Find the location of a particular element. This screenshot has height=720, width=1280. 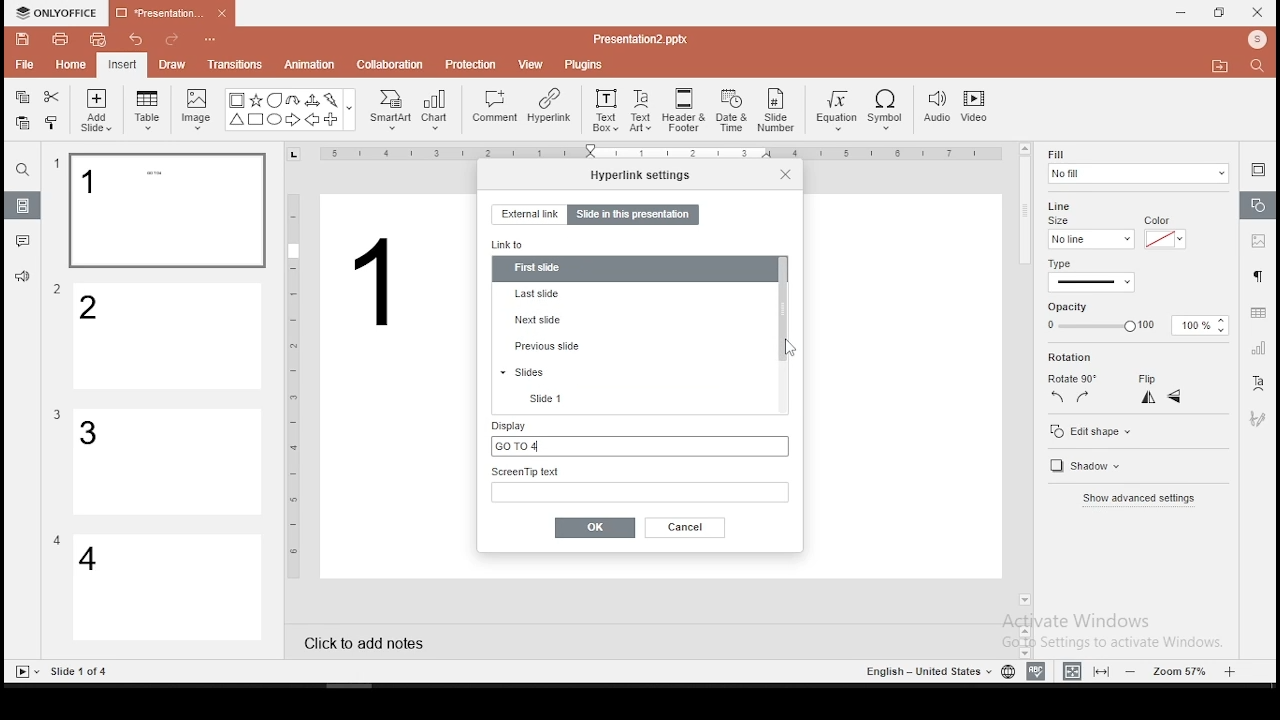

audio is located at coordinates (937, 108).